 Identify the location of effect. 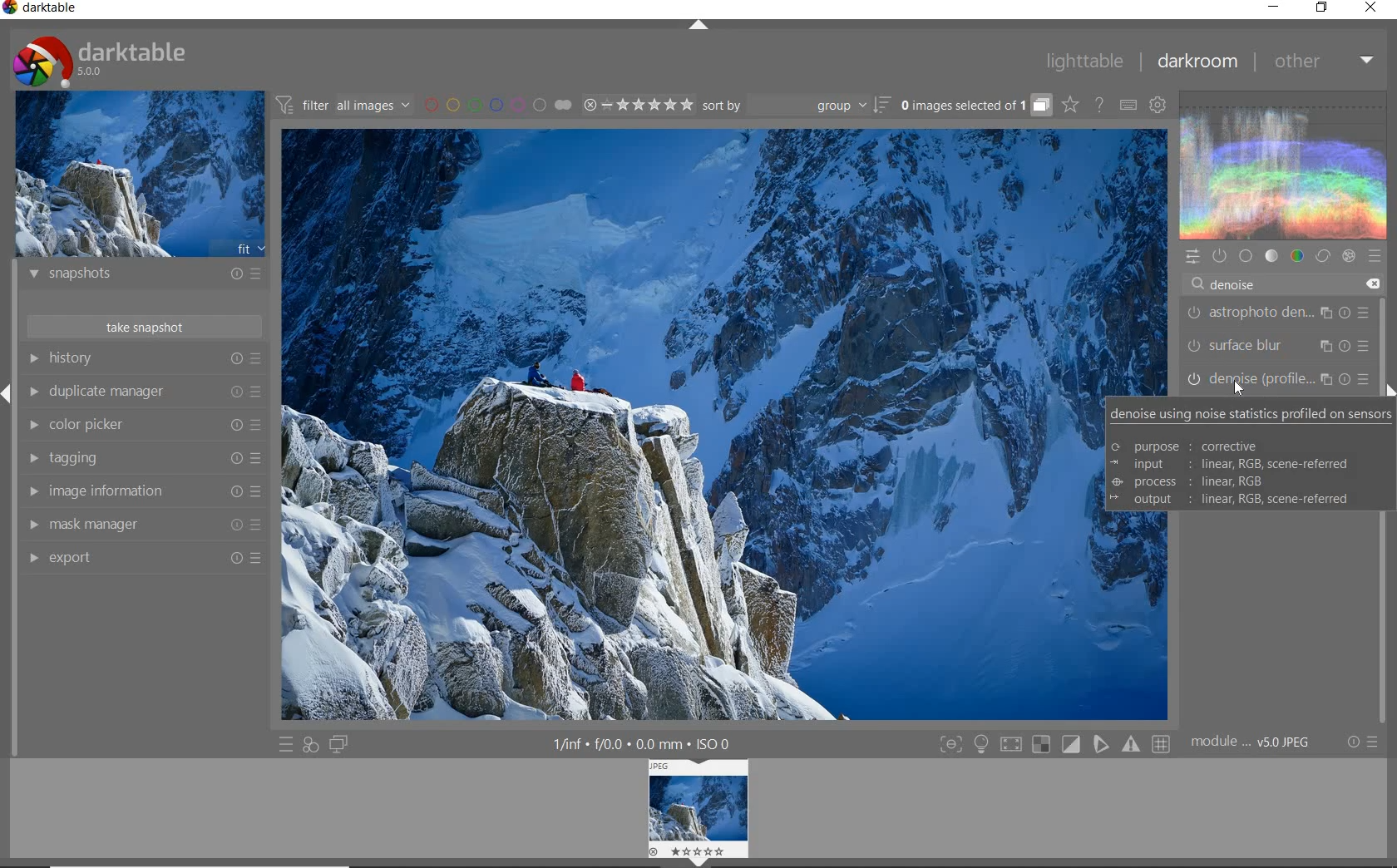
(1348, 256).